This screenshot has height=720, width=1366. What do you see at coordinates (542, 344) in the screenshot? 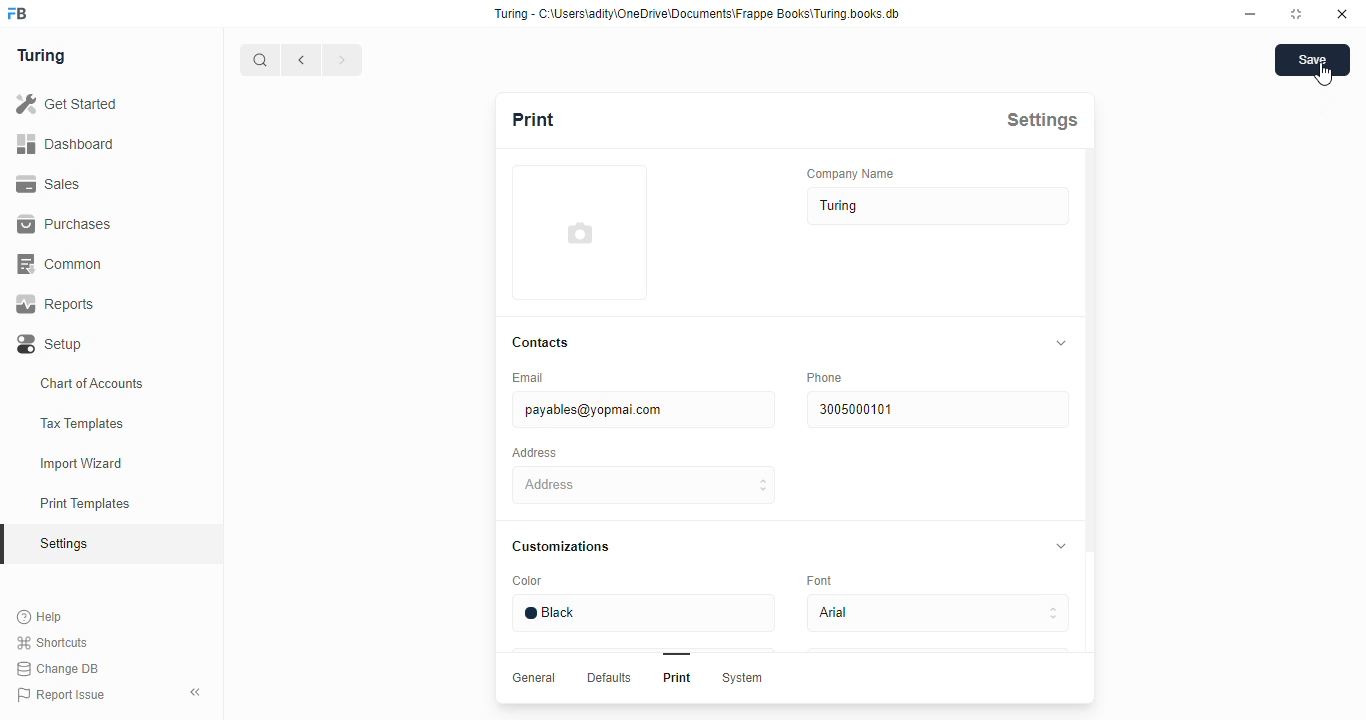
I see `Contacts.` at bounding box center [542, 344].